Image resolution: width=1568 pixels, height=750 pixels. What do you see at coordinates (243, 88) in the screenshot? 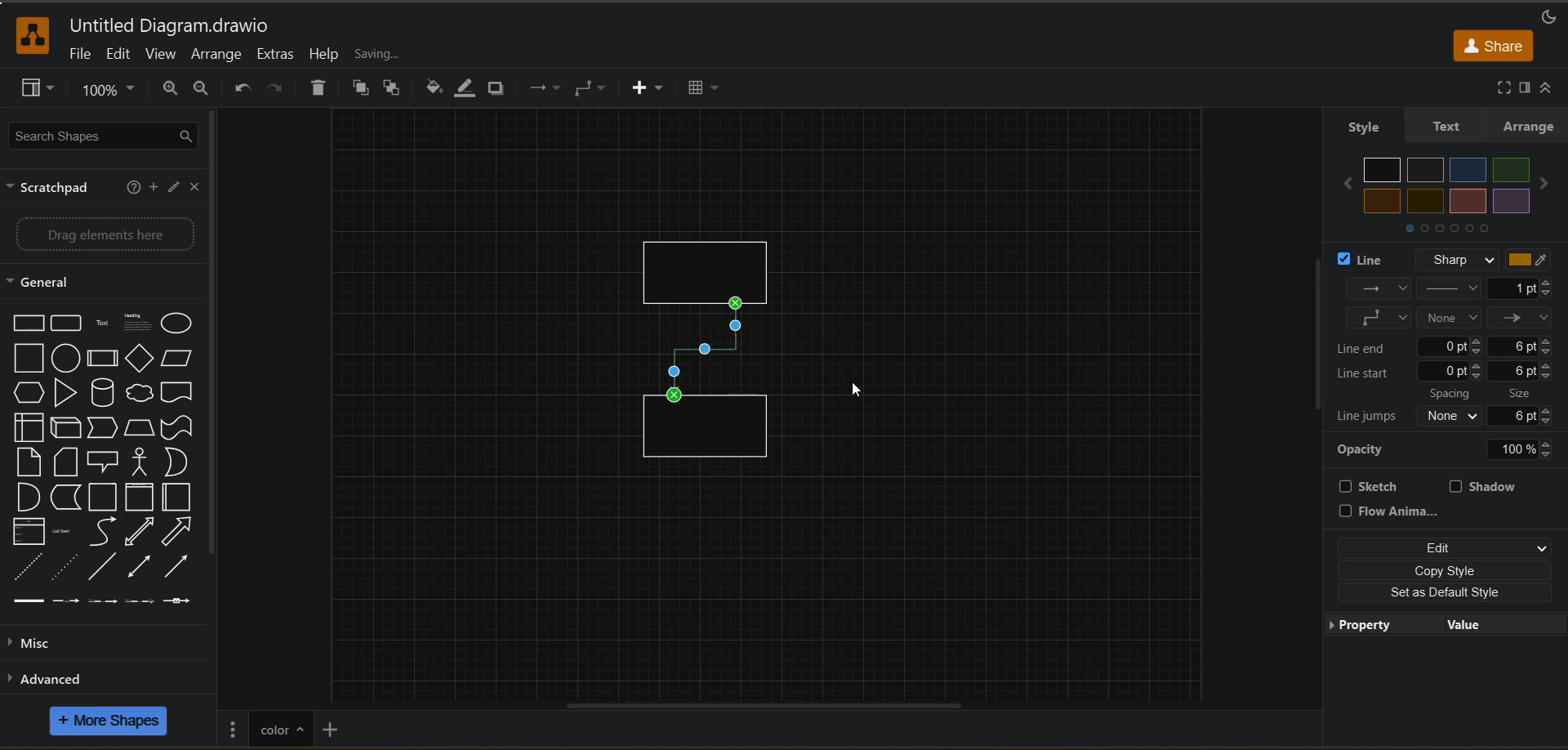
I see `undo` at bounding box center [243, 88].